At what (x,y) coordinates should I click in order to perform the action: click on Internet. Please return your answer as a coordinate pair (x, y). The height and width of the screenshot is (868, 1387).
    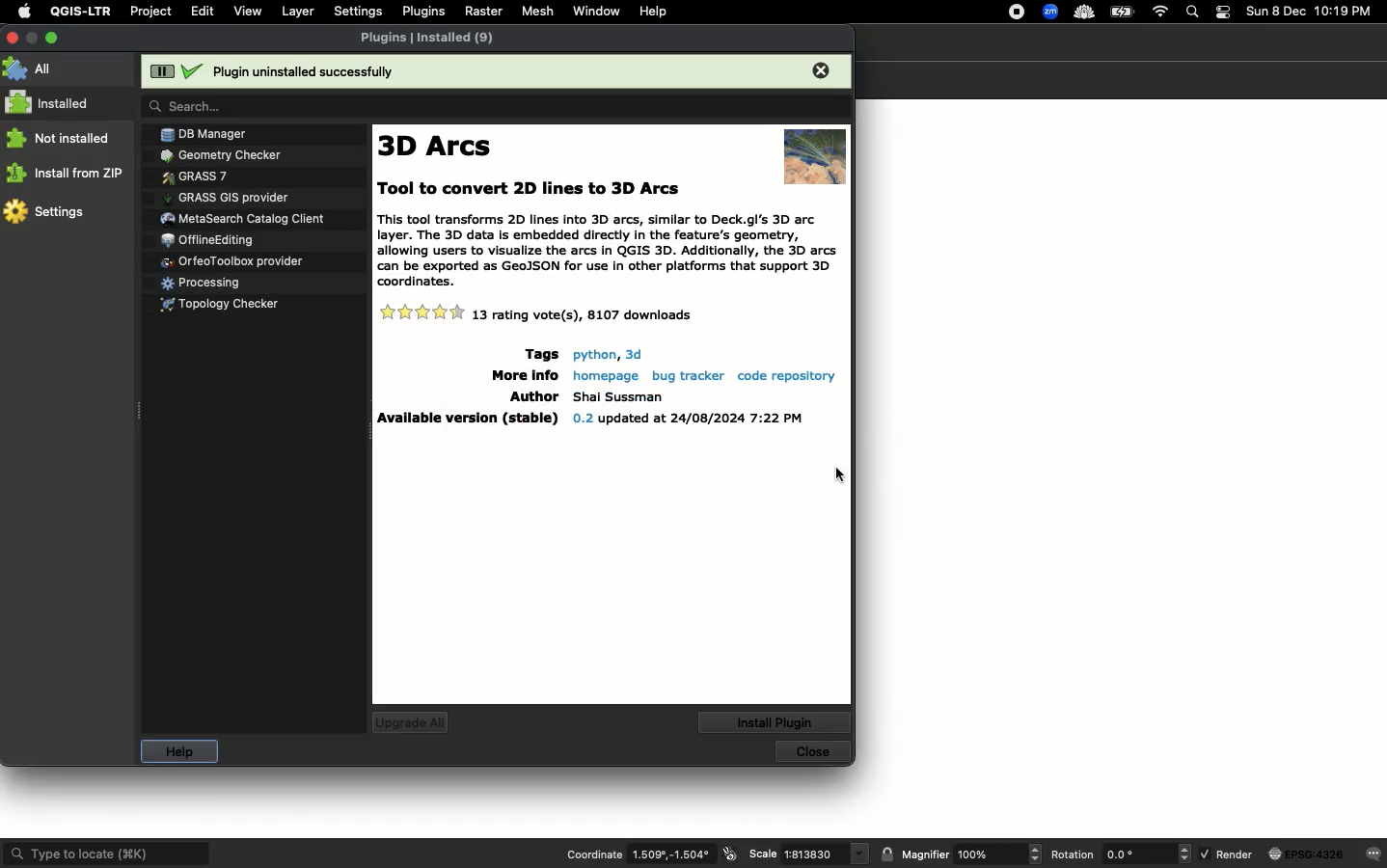
    Looking at the image, I should click on (1162, 12).